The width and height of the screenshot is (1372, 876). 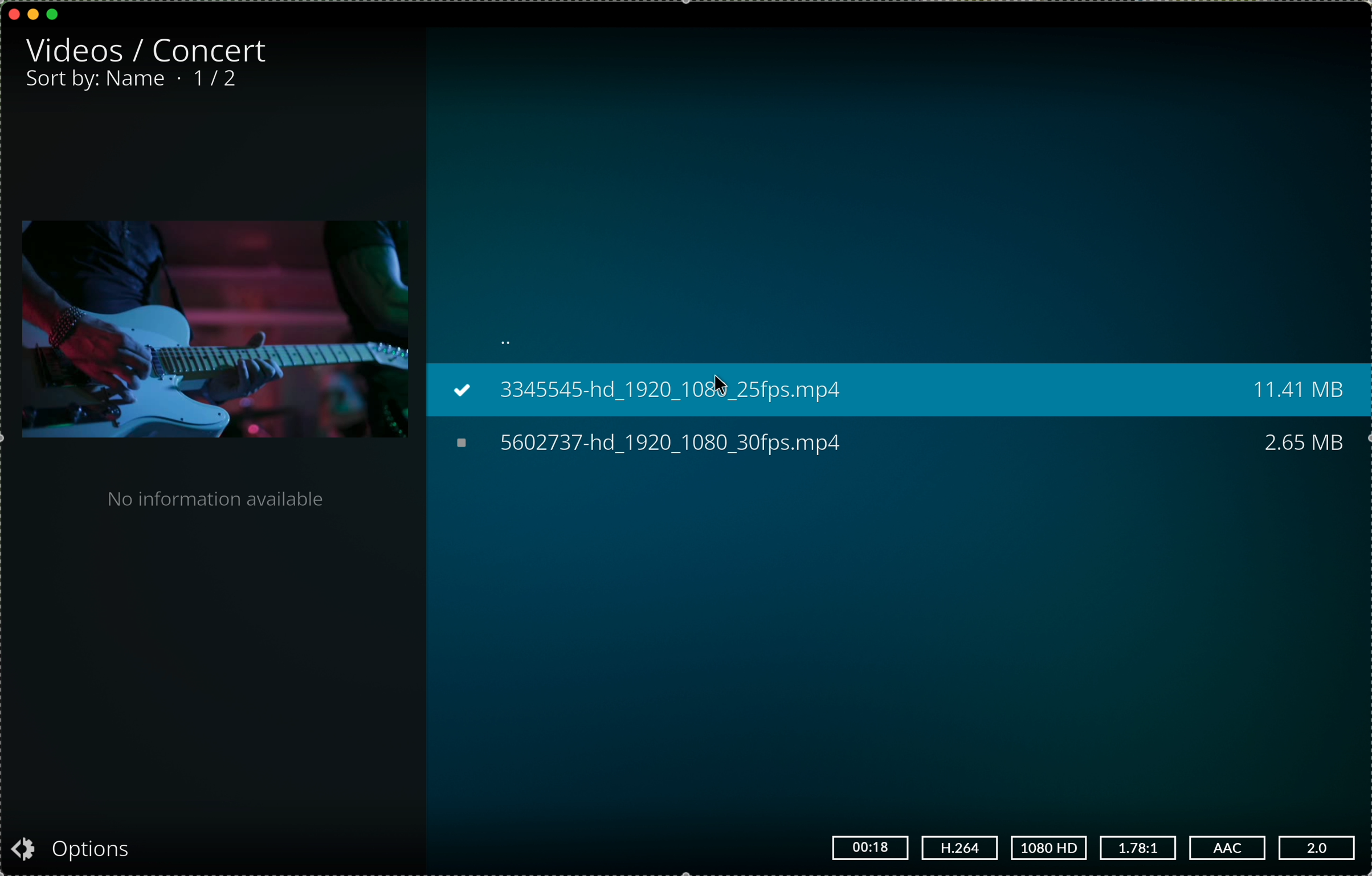 What do you see at coordinates (725, 381) in the screenshot?
I see `cursor` at bounding box center [725, 381].